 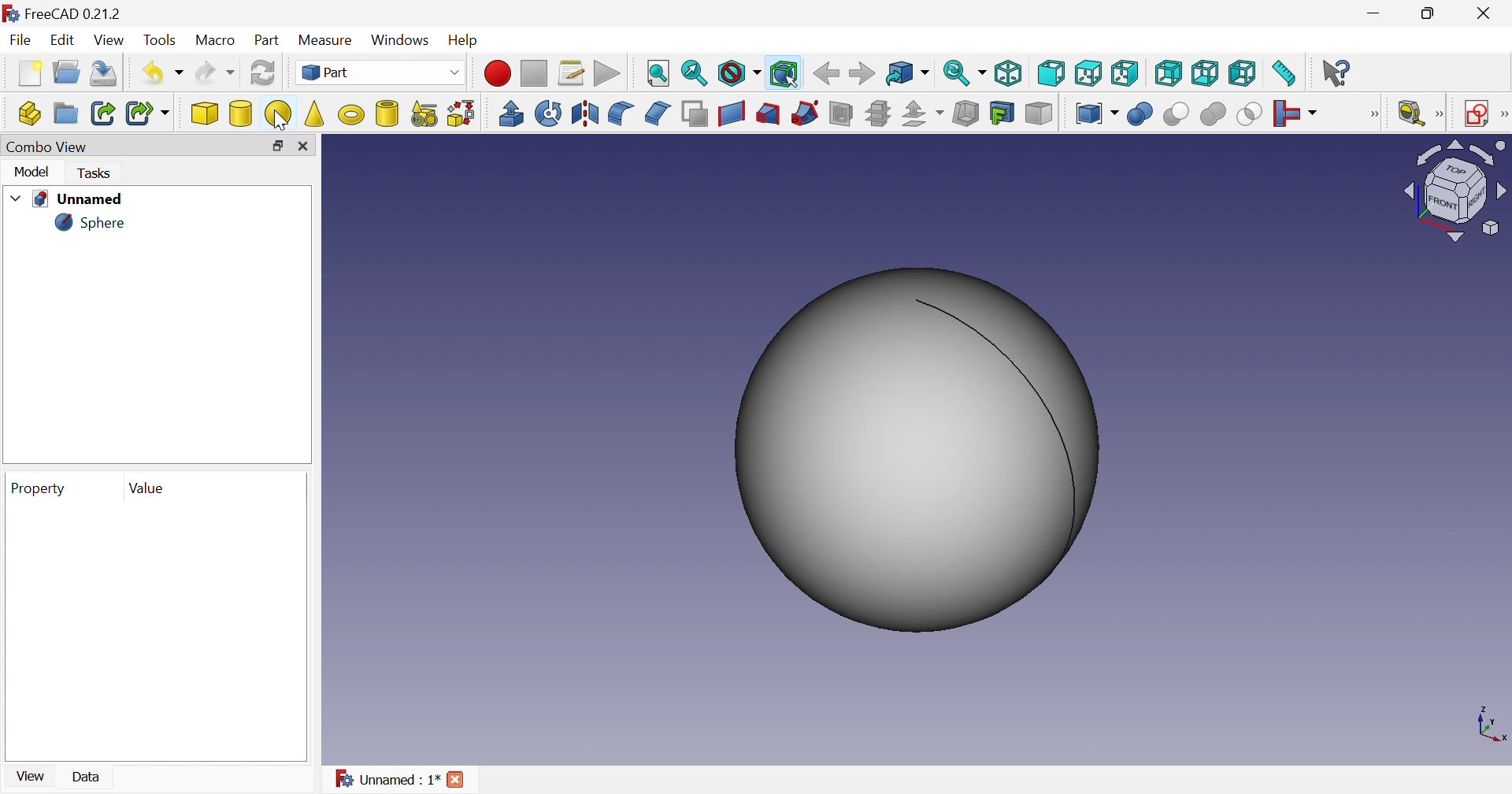 What do you see at coordinates (31, 775) in the screenshot?
I see `View` at bounding box center [31, 775].